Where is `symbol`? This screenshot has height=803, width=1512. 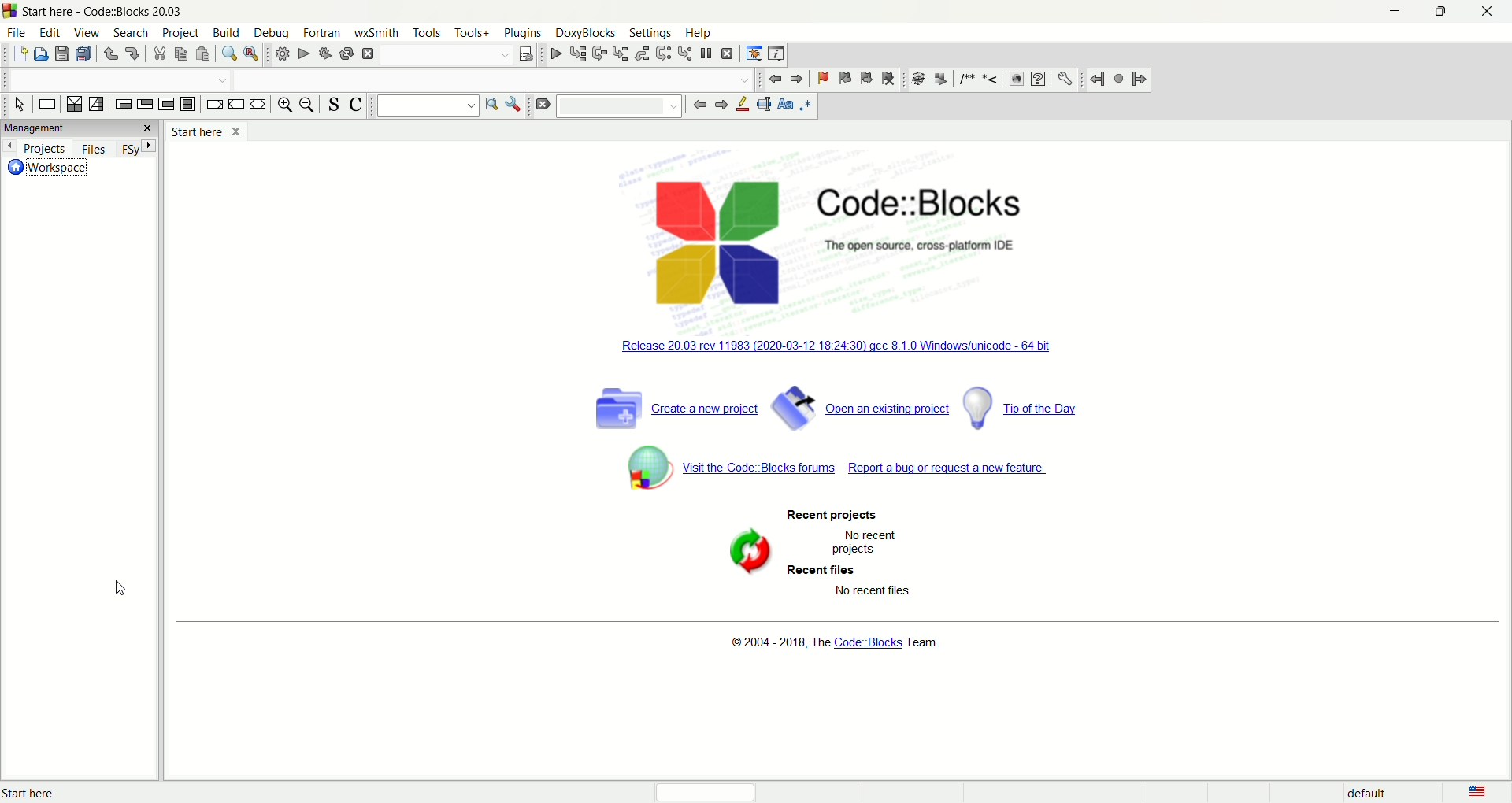 symbol is located at coordinates (644, 469).